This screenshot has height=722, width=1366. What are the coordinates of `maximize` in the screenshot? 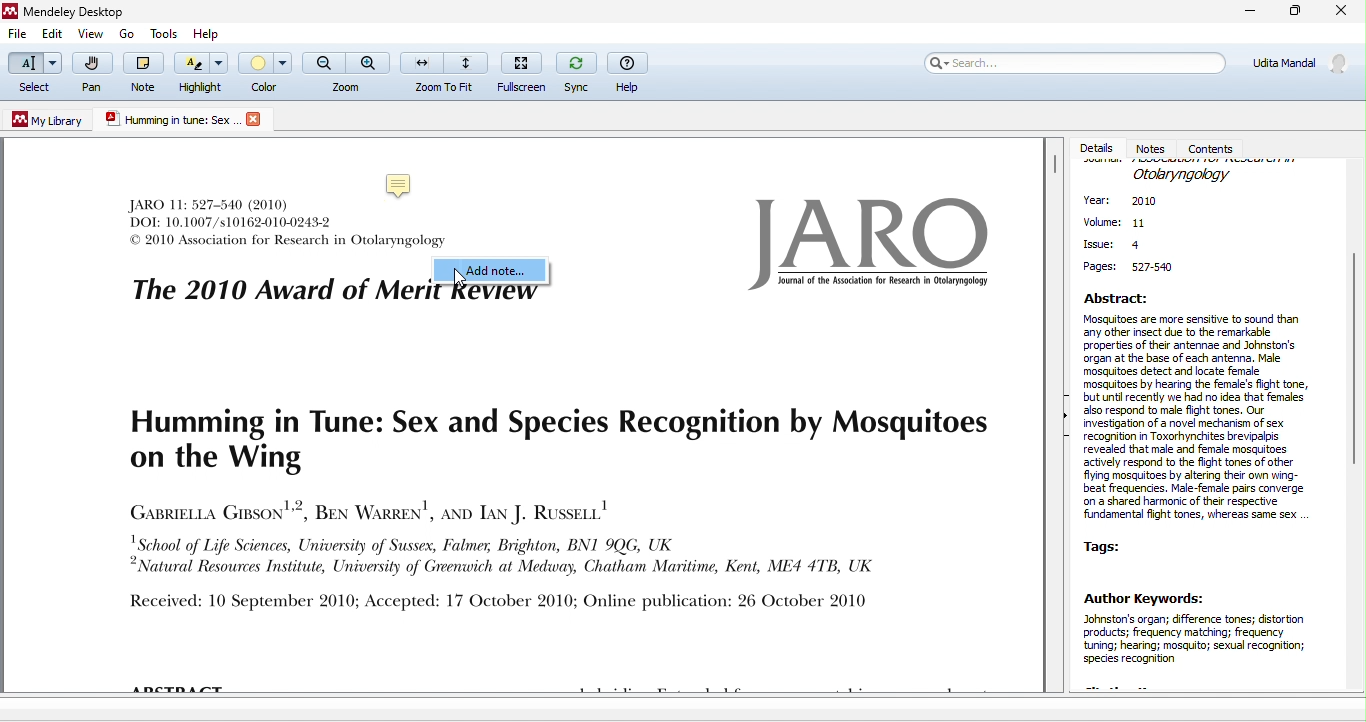 It's located at (1293, 14).